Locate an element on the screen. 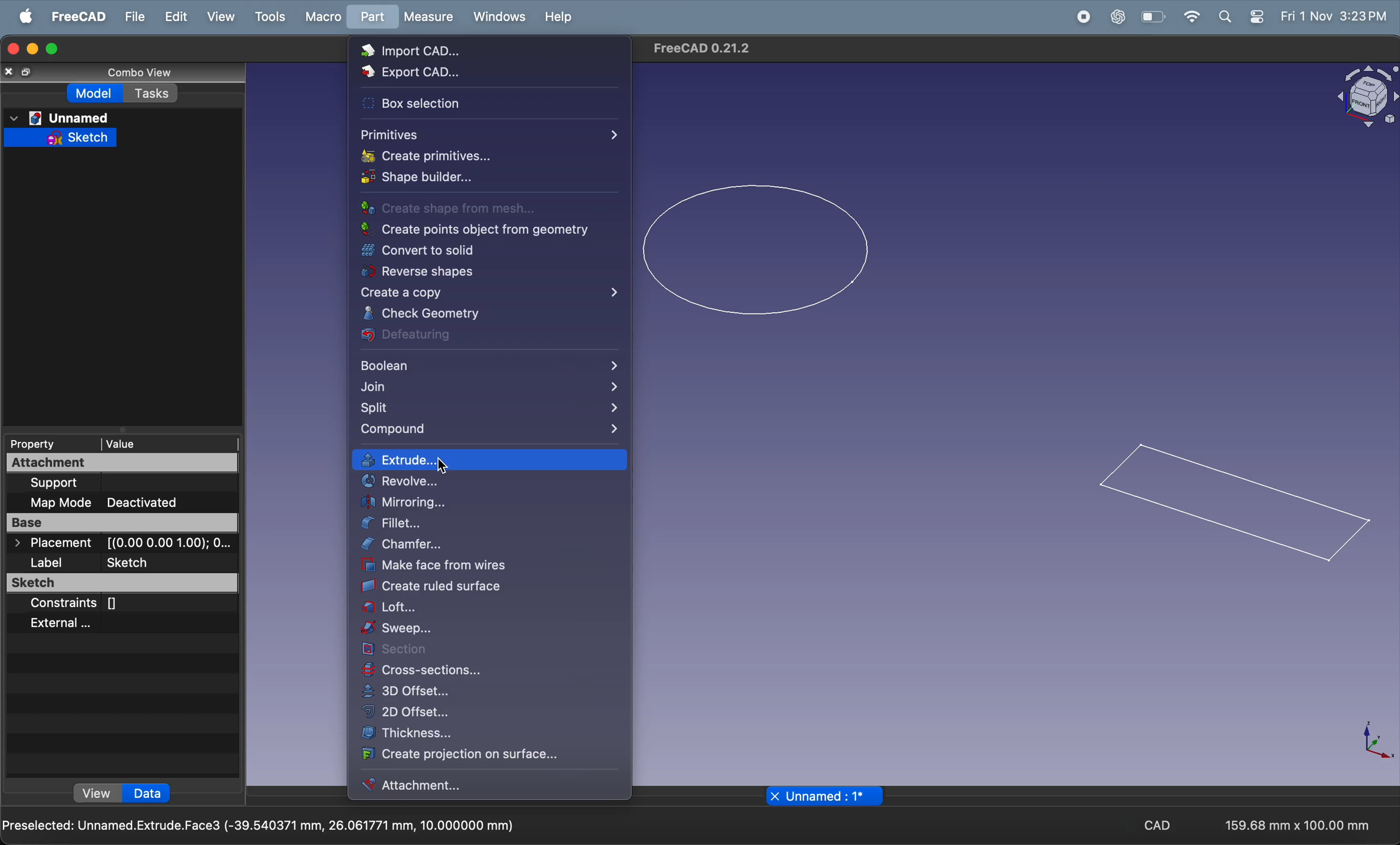  Extrude... is located at coordinates (489, 459).